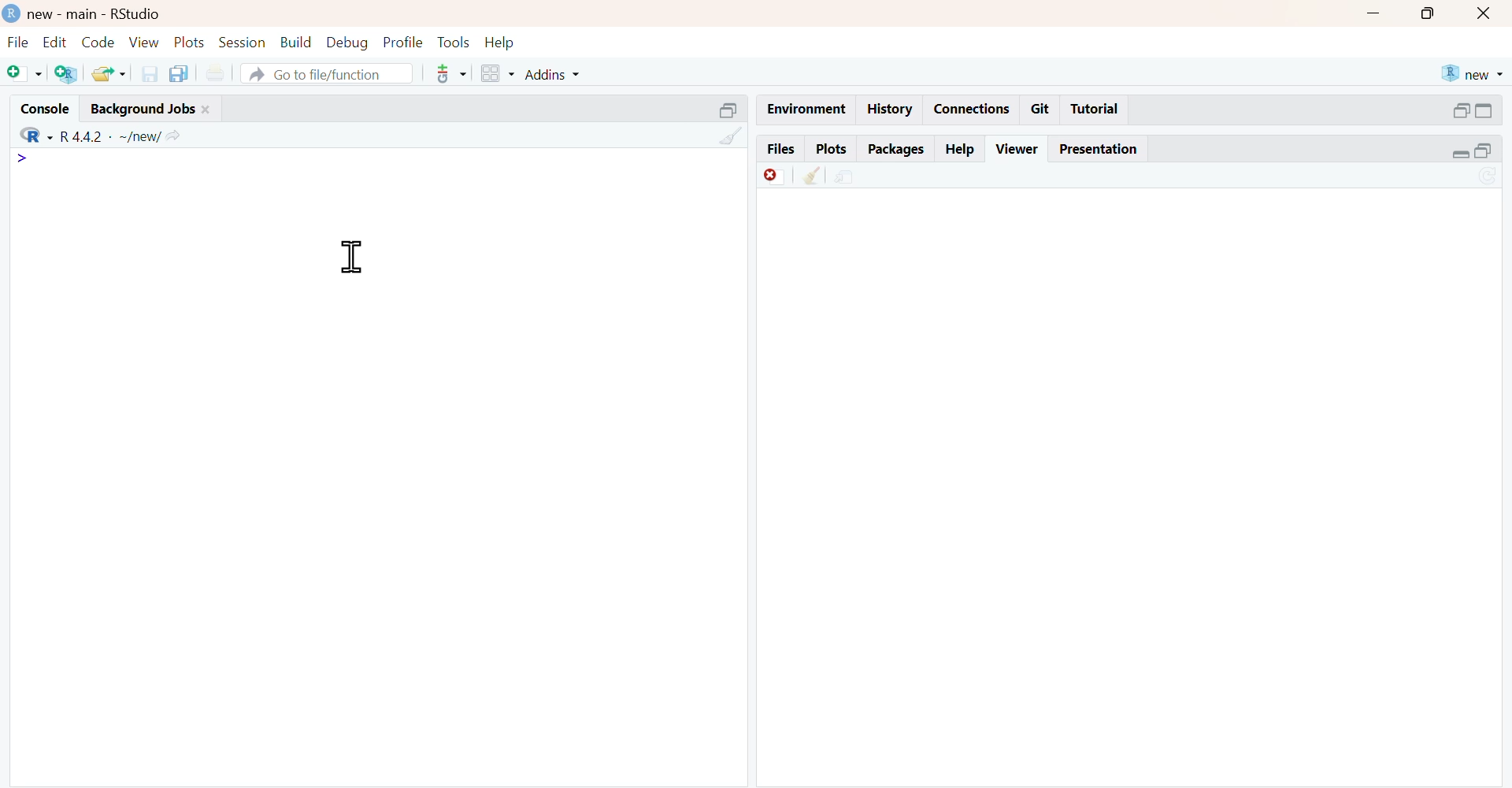 This screenshot has width=1512, height=788. What do you see at coordinates (453, 74) in the screenshot?
I see `tools` at bounding box center [453, 74].